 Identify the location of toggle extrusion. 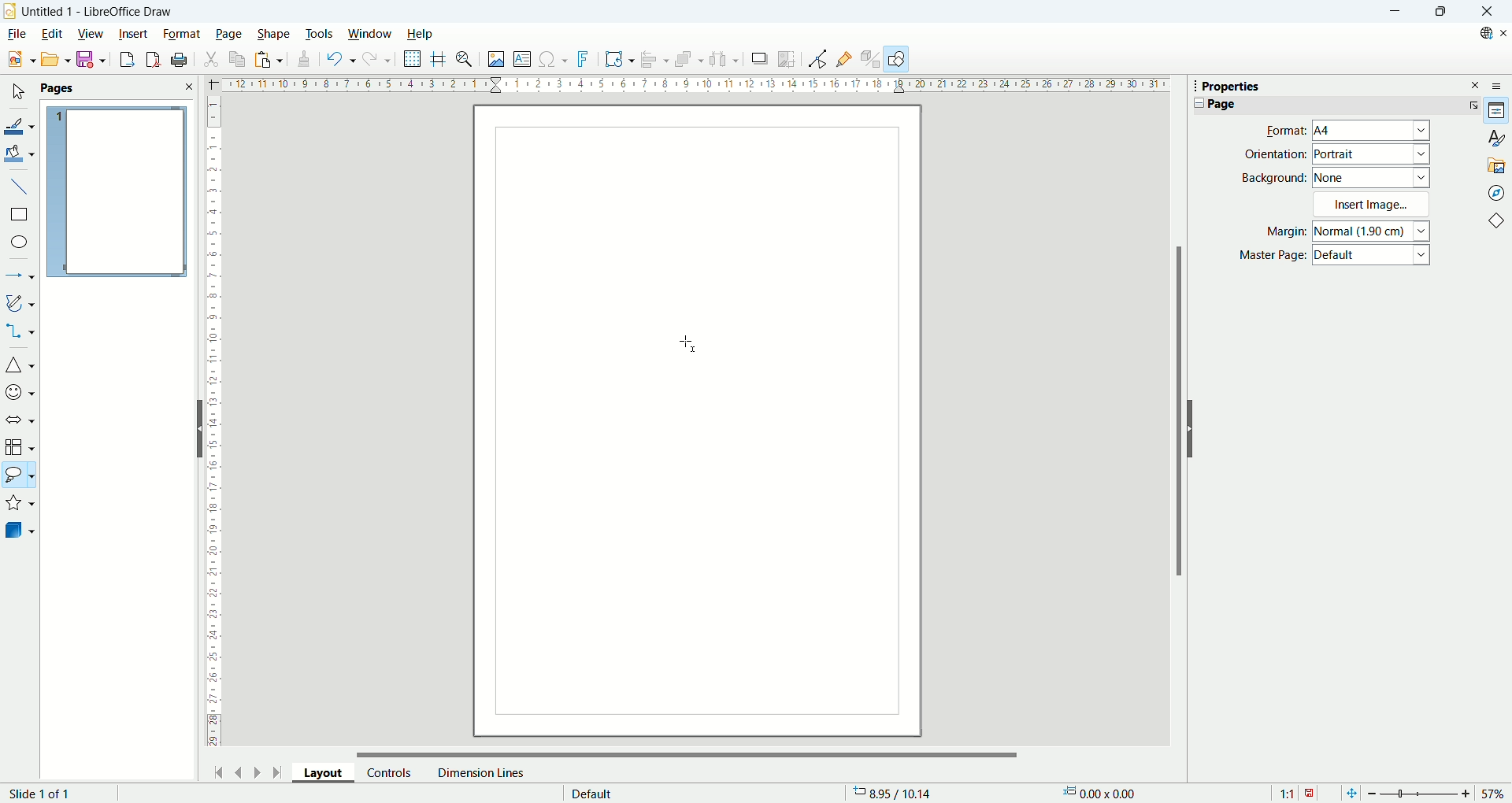
(871, 60).